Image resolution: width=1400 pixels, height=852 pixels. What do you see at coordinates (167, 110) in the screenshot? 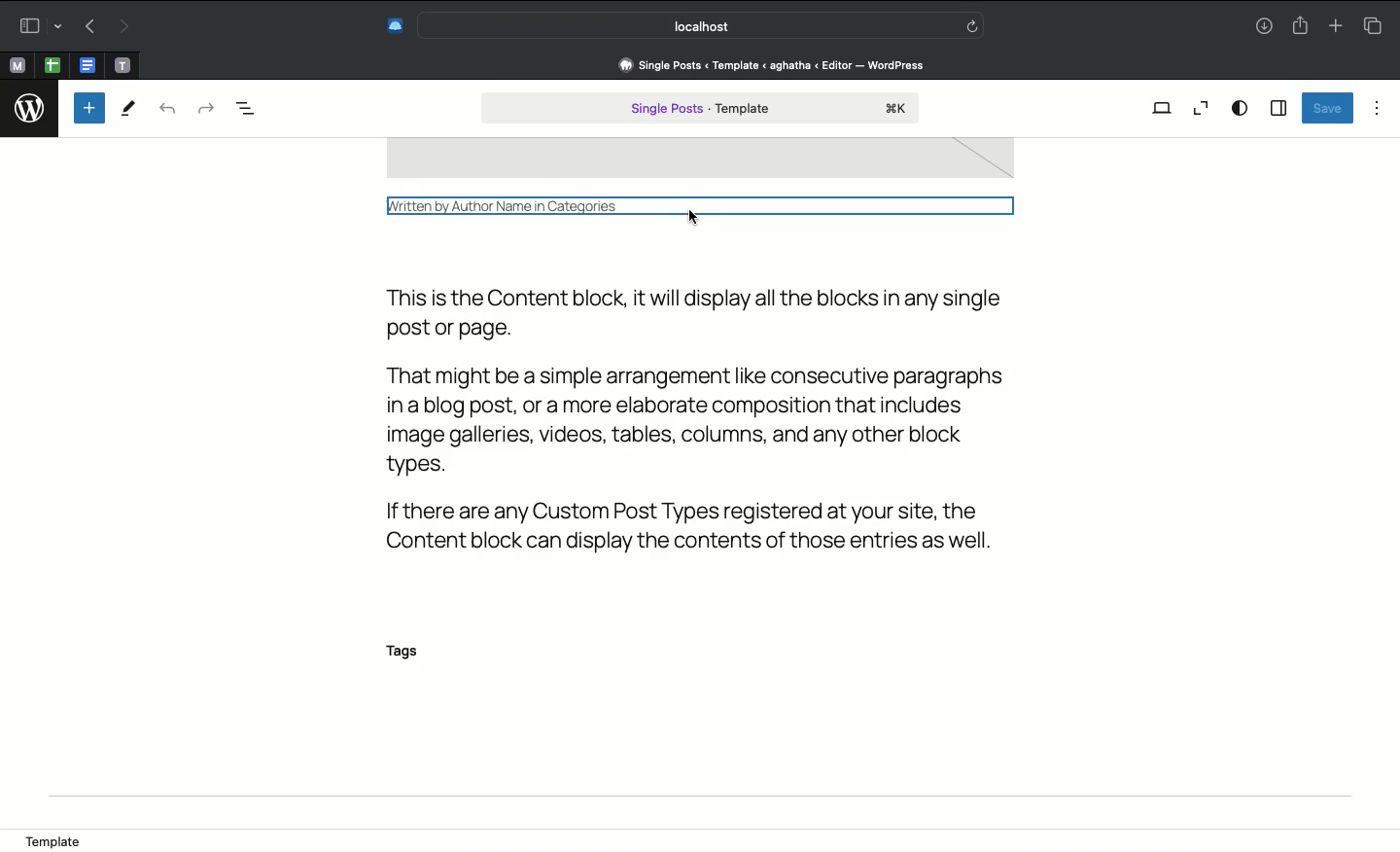
I see `Undo` at bounding box center [167, 110].